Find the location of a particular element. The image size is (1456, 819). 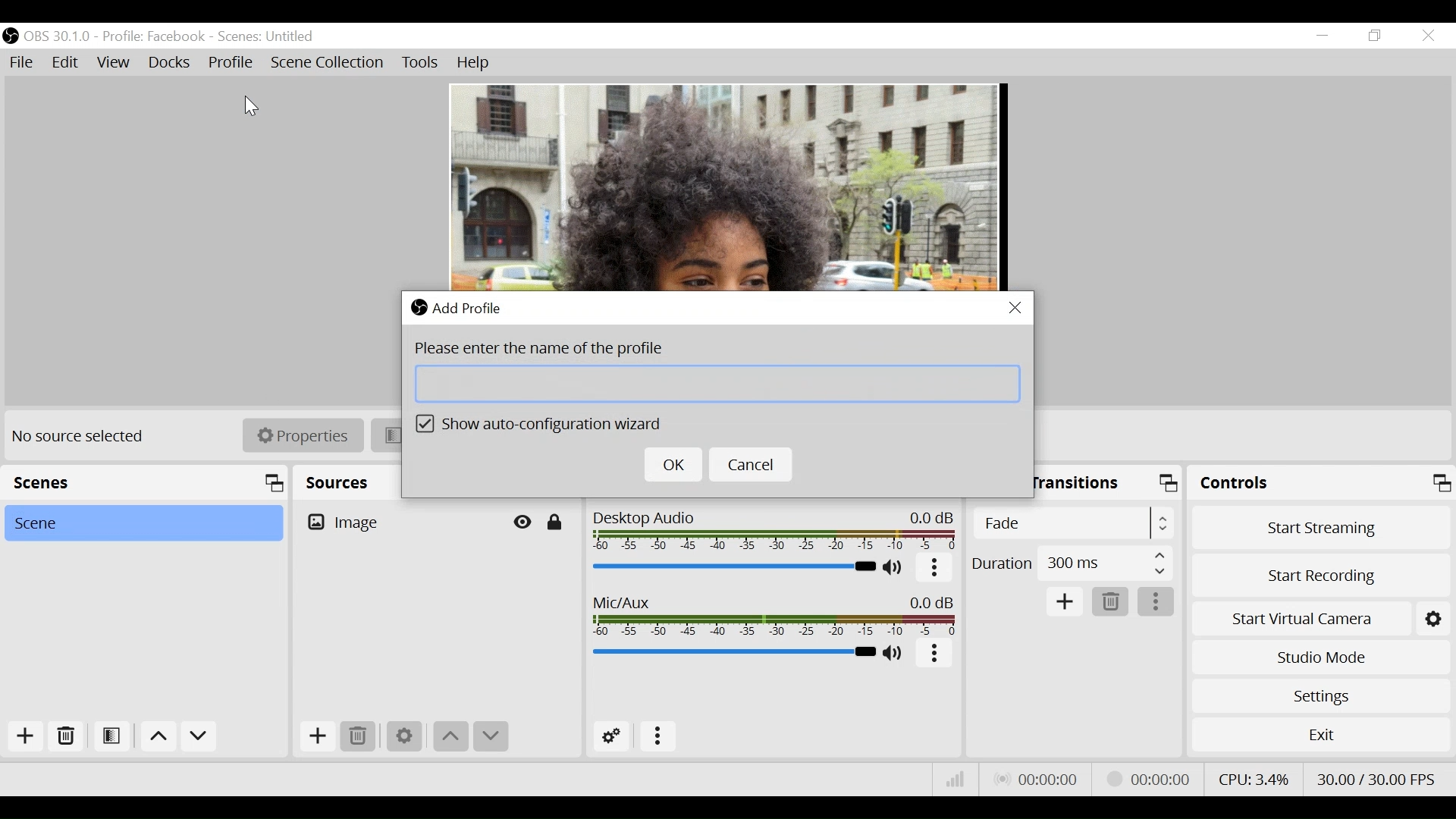

Cursor is located at coordinates (248, 102).